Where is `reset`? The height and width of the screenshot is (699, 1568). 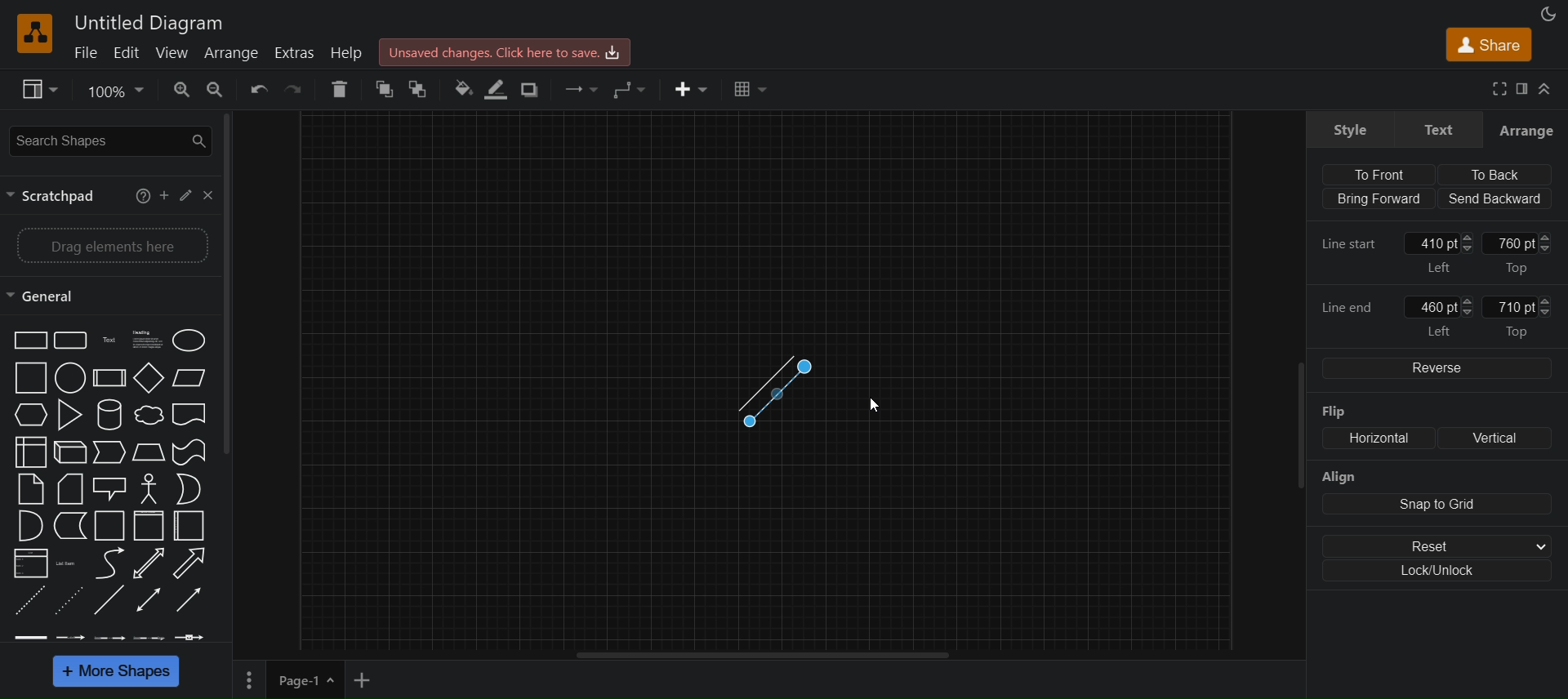 reset is located at coordinates (1441, 545).